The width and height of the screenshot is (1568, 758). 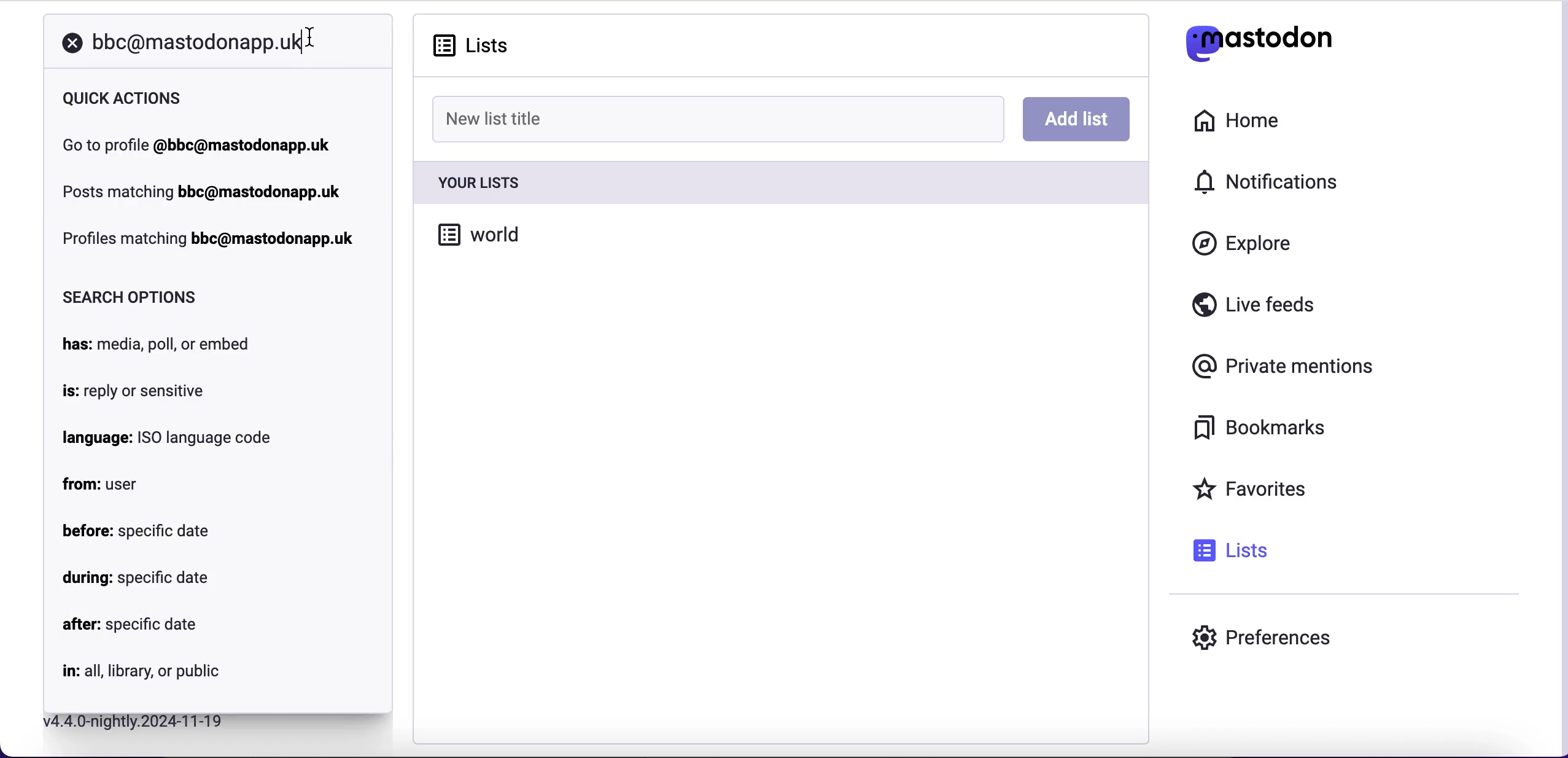 I want to click on mastodon logo, so click(x=1259, y=40).